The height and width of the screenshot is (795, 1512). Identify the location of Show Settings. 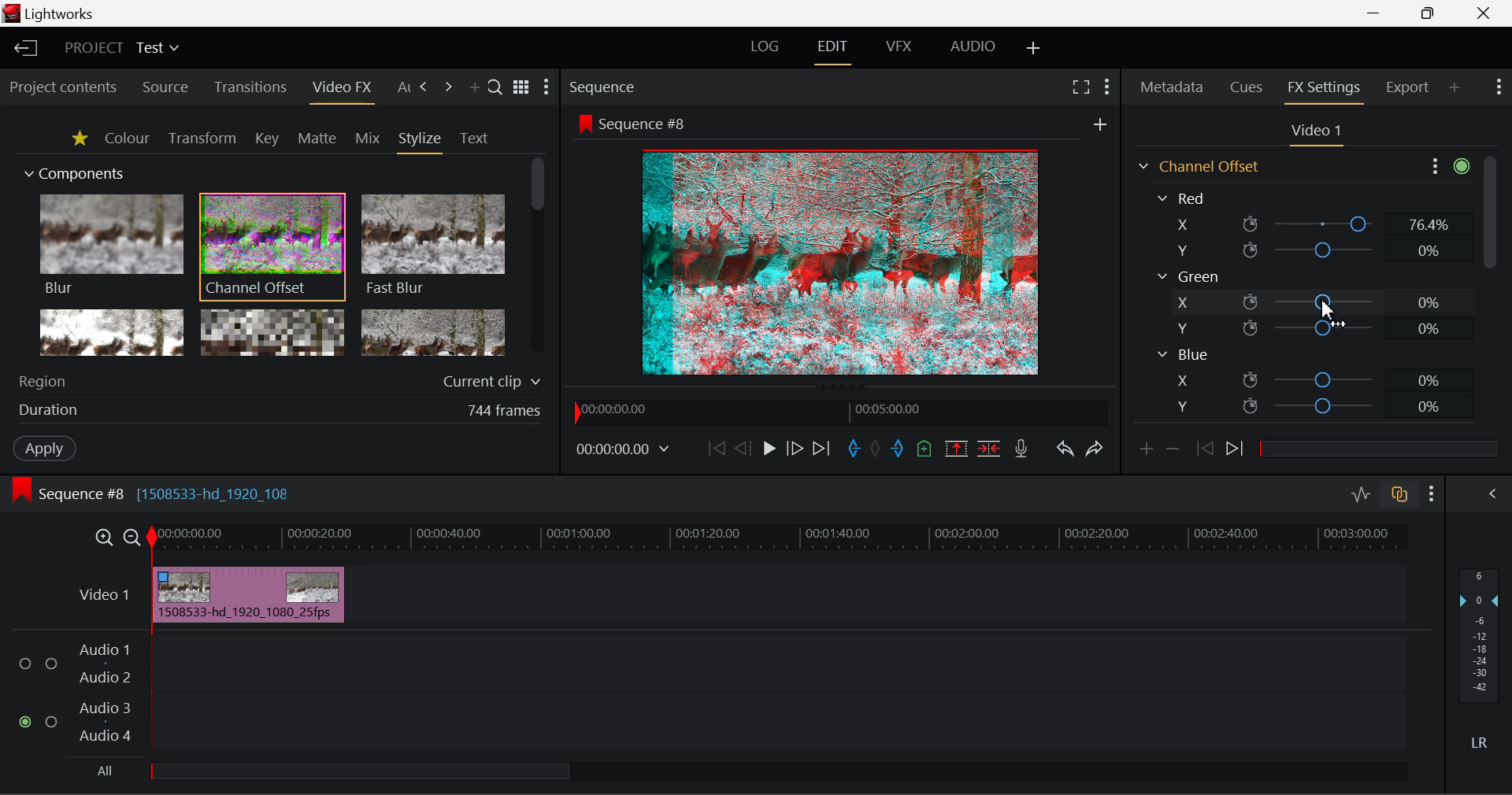
(548, 87).